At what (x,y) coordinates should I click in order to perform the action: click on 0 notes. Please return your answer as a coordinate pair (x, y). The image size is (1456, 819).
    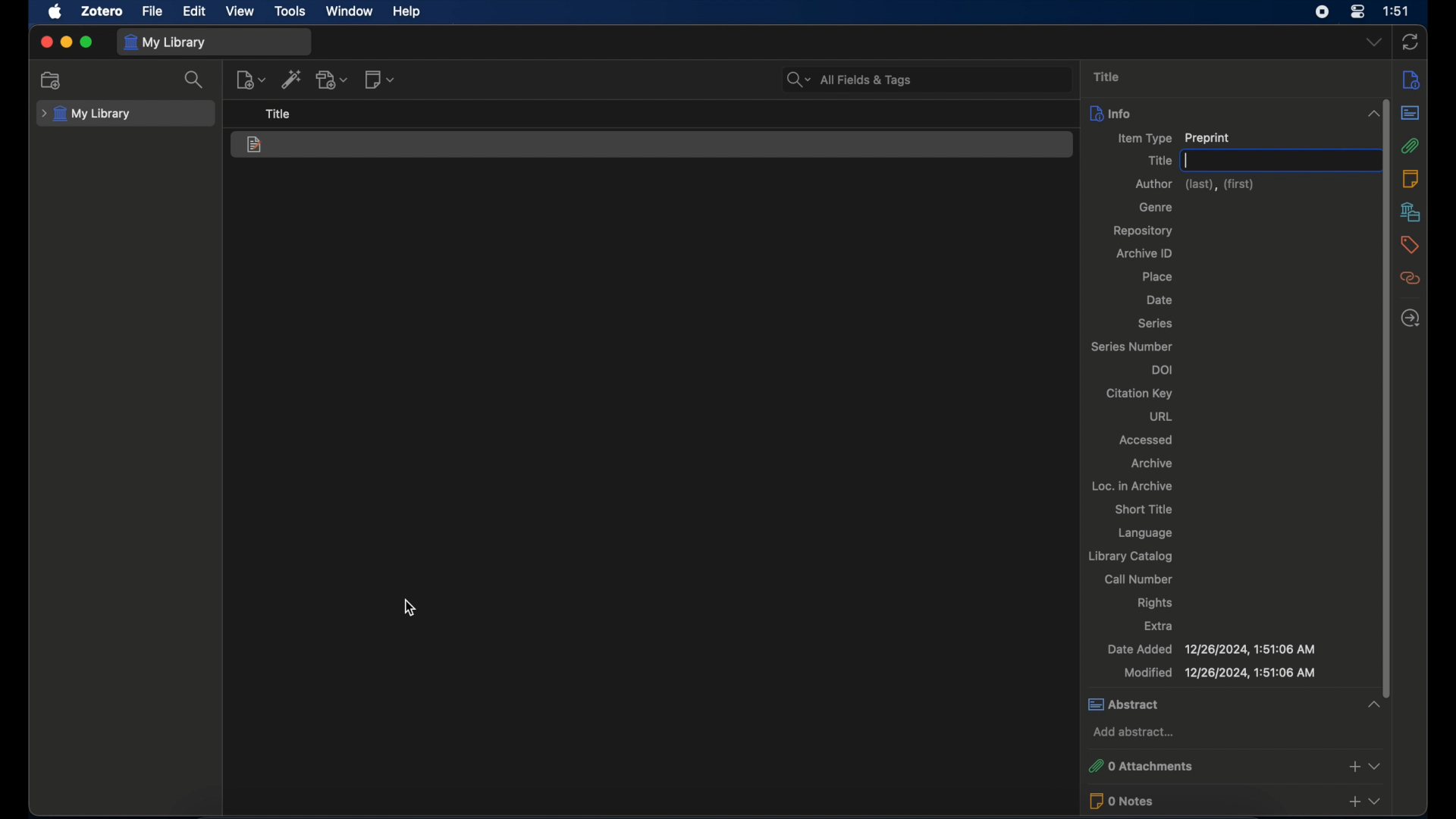
    Looking at the image, I should click on (1235, 801).